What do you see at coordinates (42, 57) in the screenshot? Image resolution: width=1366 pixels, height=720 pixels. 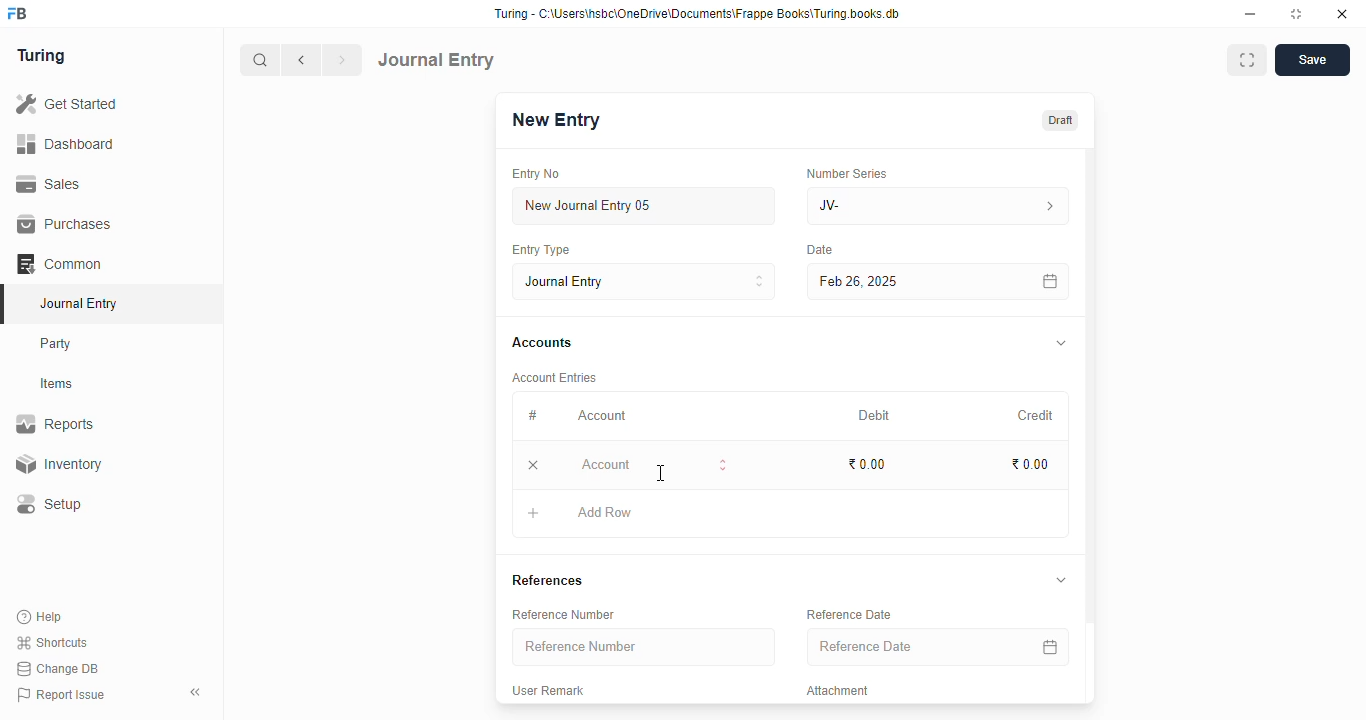 I see `turing` at bounding box center [42, 57].